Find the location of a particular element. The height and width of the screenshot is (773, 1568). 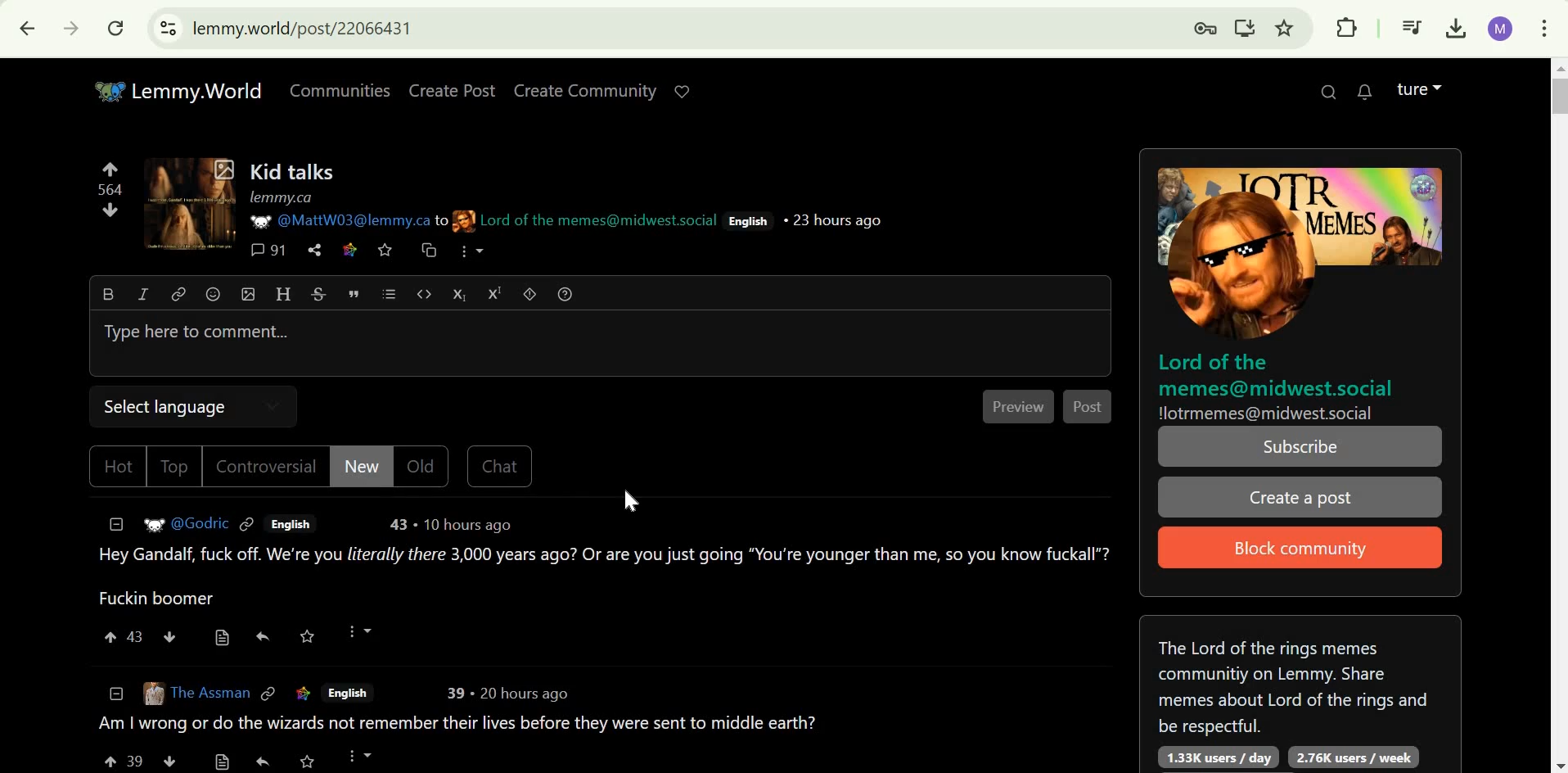

picture is located at coordinates (463, 221).